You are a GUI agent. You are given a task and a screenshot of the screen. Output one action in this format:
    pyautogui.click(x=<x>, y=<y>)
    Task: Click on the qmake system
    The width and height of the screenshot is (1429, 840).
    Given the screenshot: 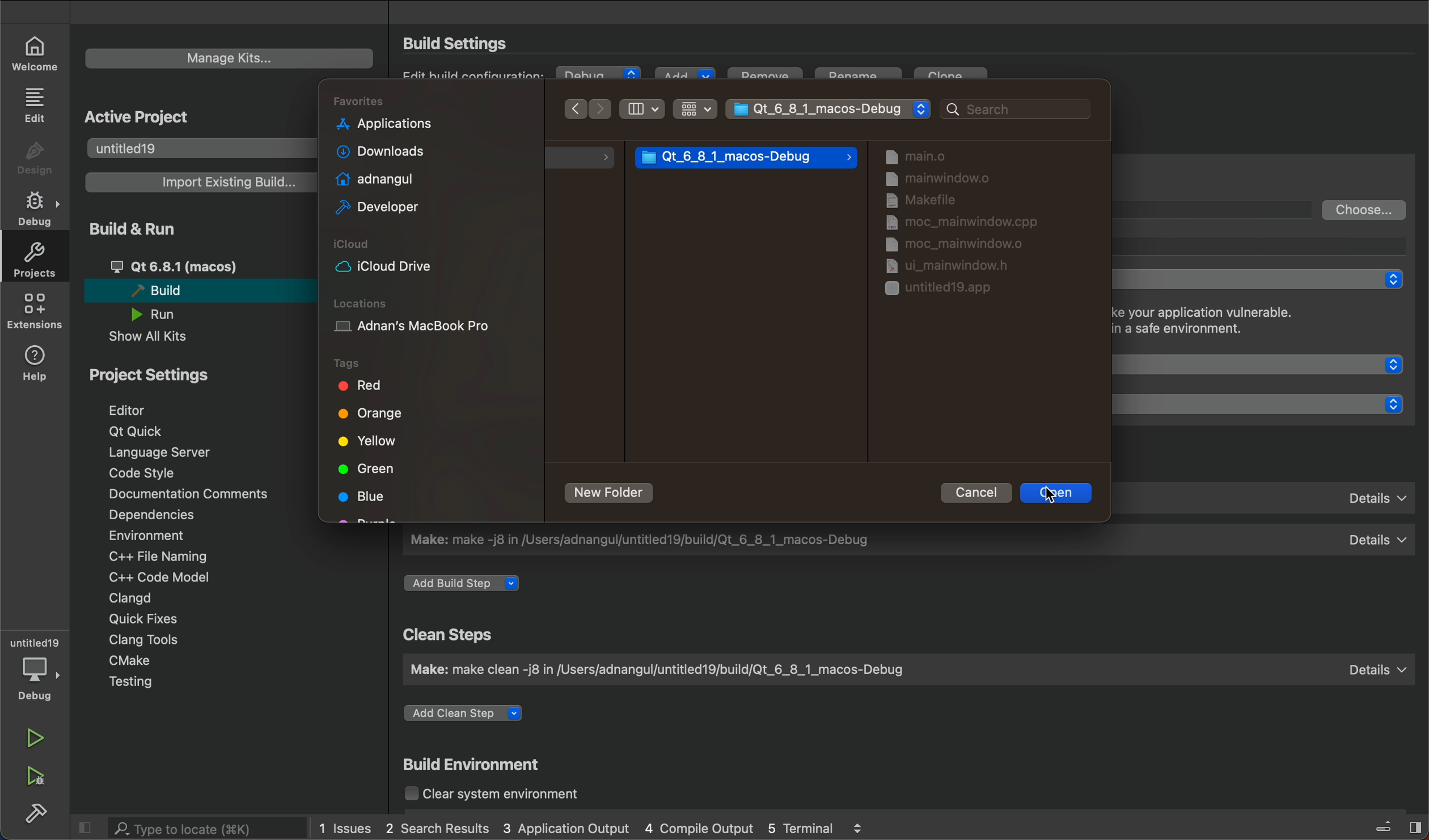 What is the action you would take?
    pyautogui.click(x=1267, y=404)
    